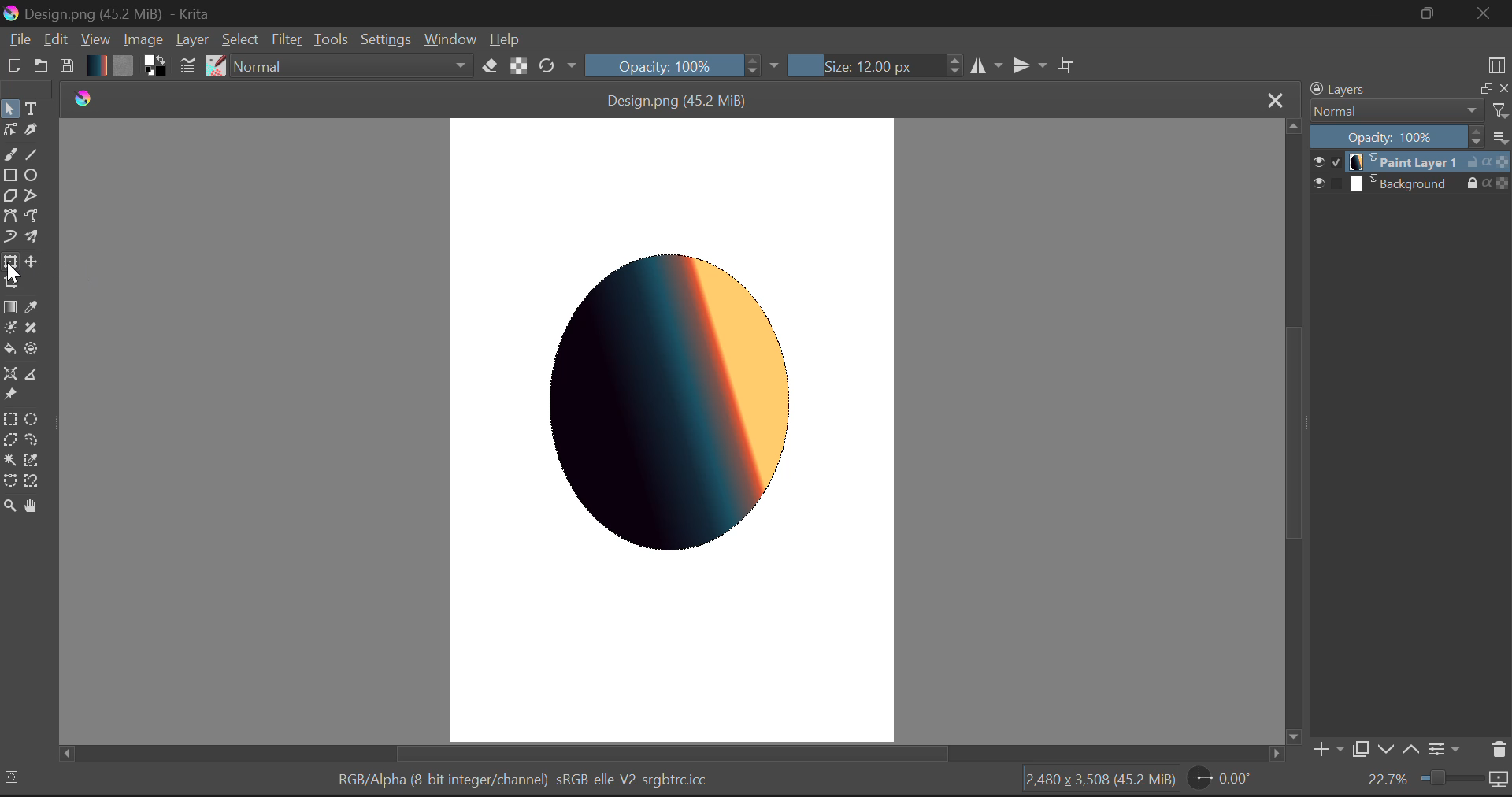 The height and width of the screenshot is (797, 1512). Describe the element at coordinates (9, 418) in the screenshot. I see `Rectangular Selection` at that location.